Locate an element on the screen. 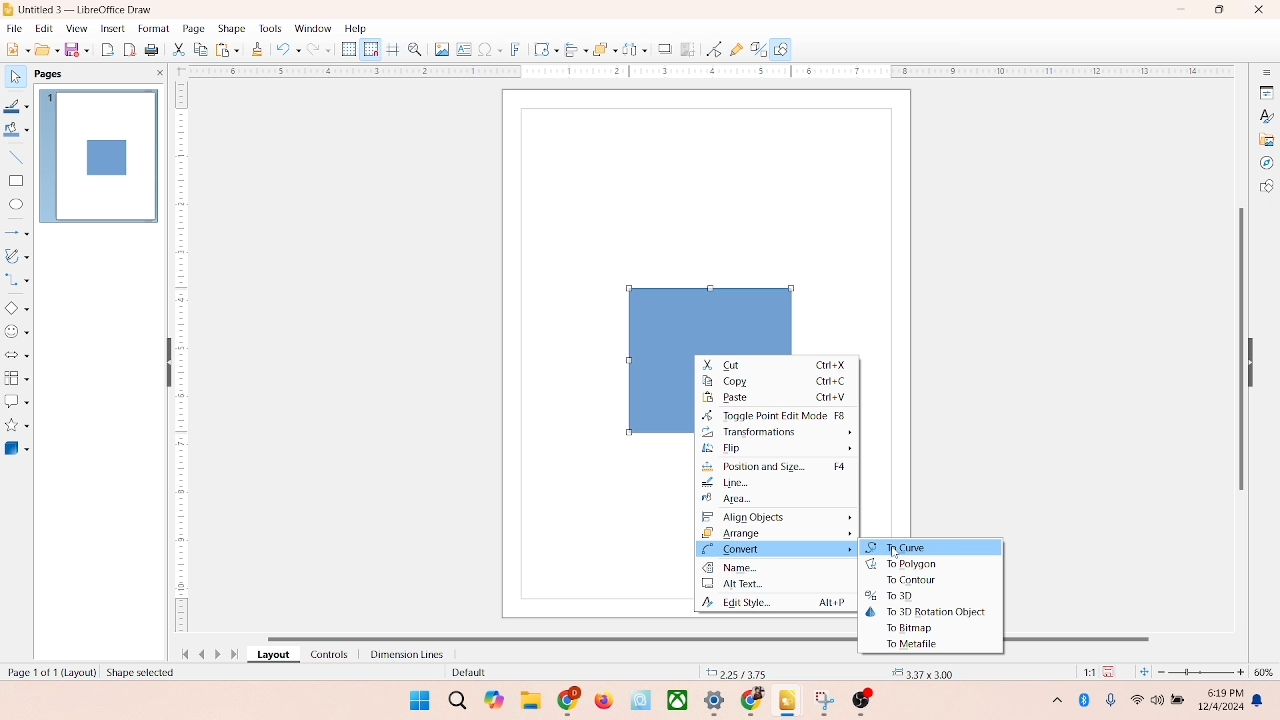  redo is located at coordinates (323, 51).